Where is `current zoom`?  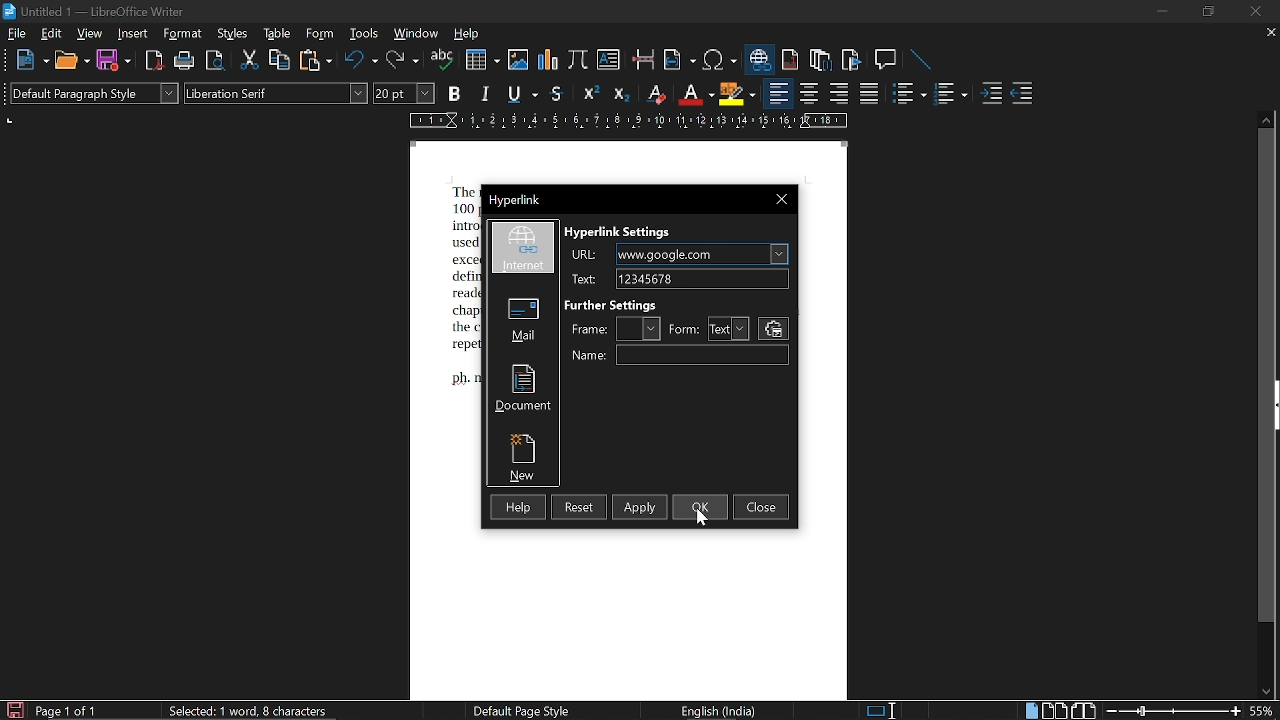
current zoom is located at coordinates (1264, 712).